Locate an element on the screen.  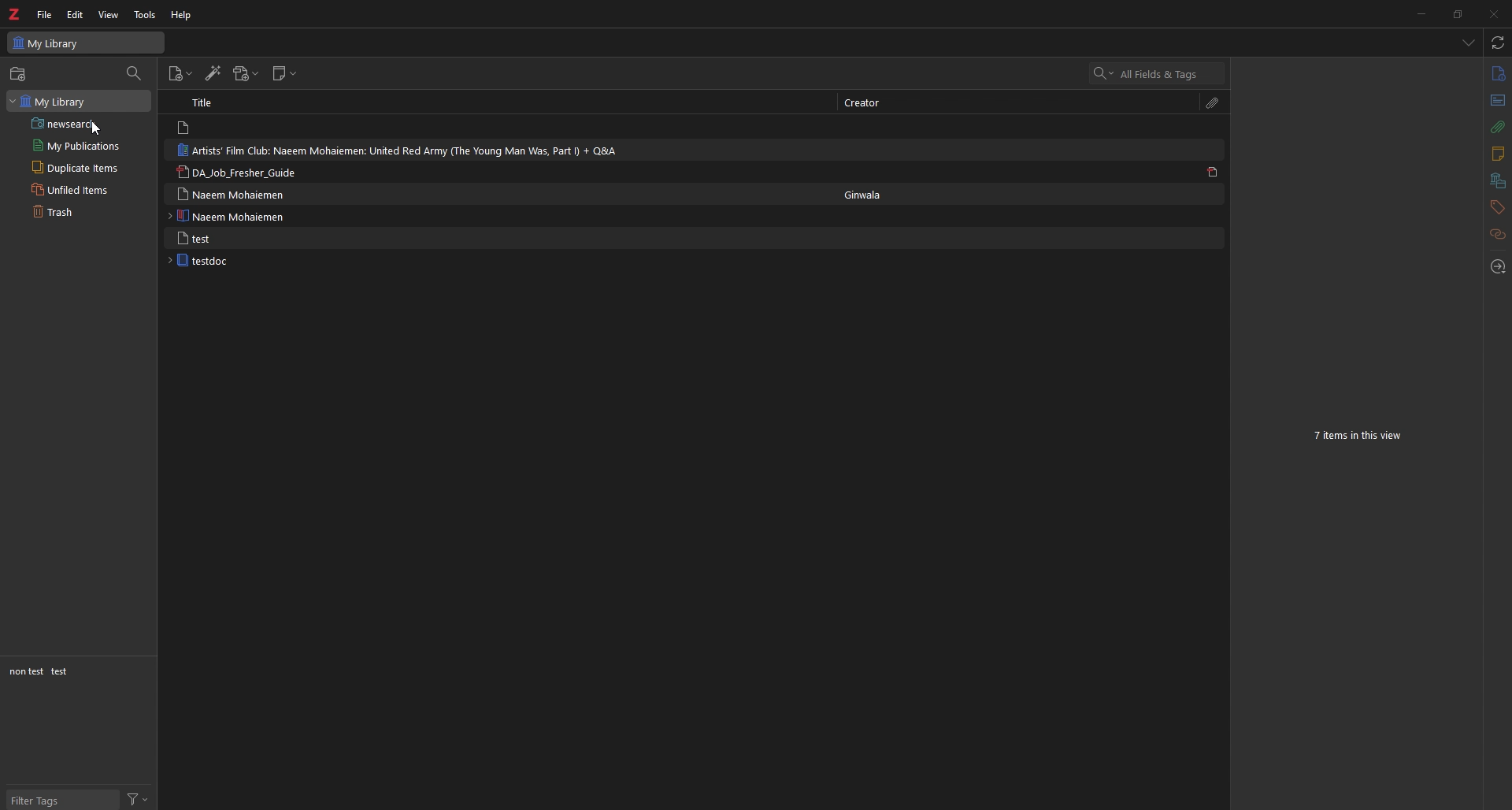
Document is located at coordinates (195, 239).